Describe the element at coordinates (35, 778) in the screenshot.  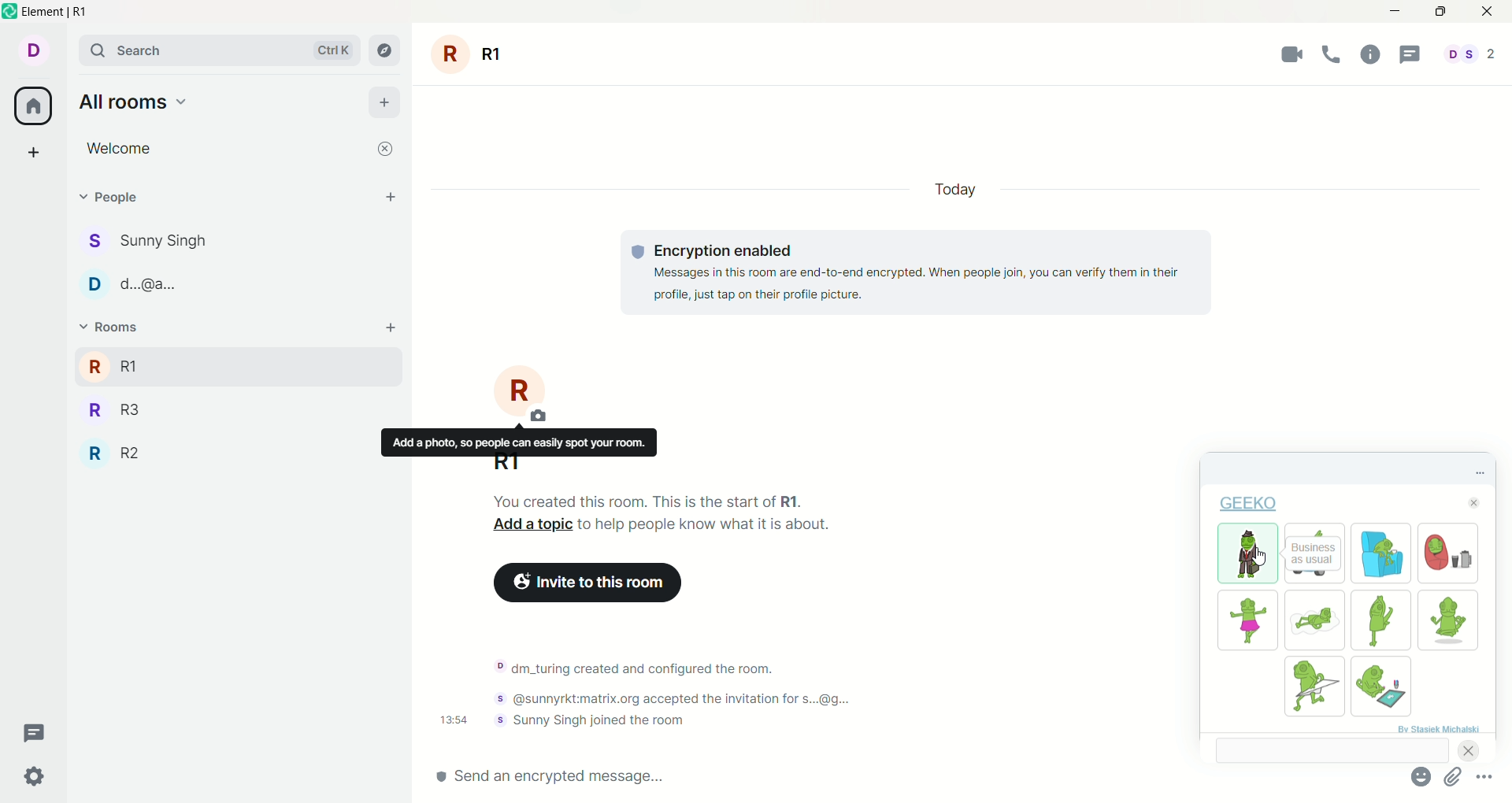
I see `settings` at that location.